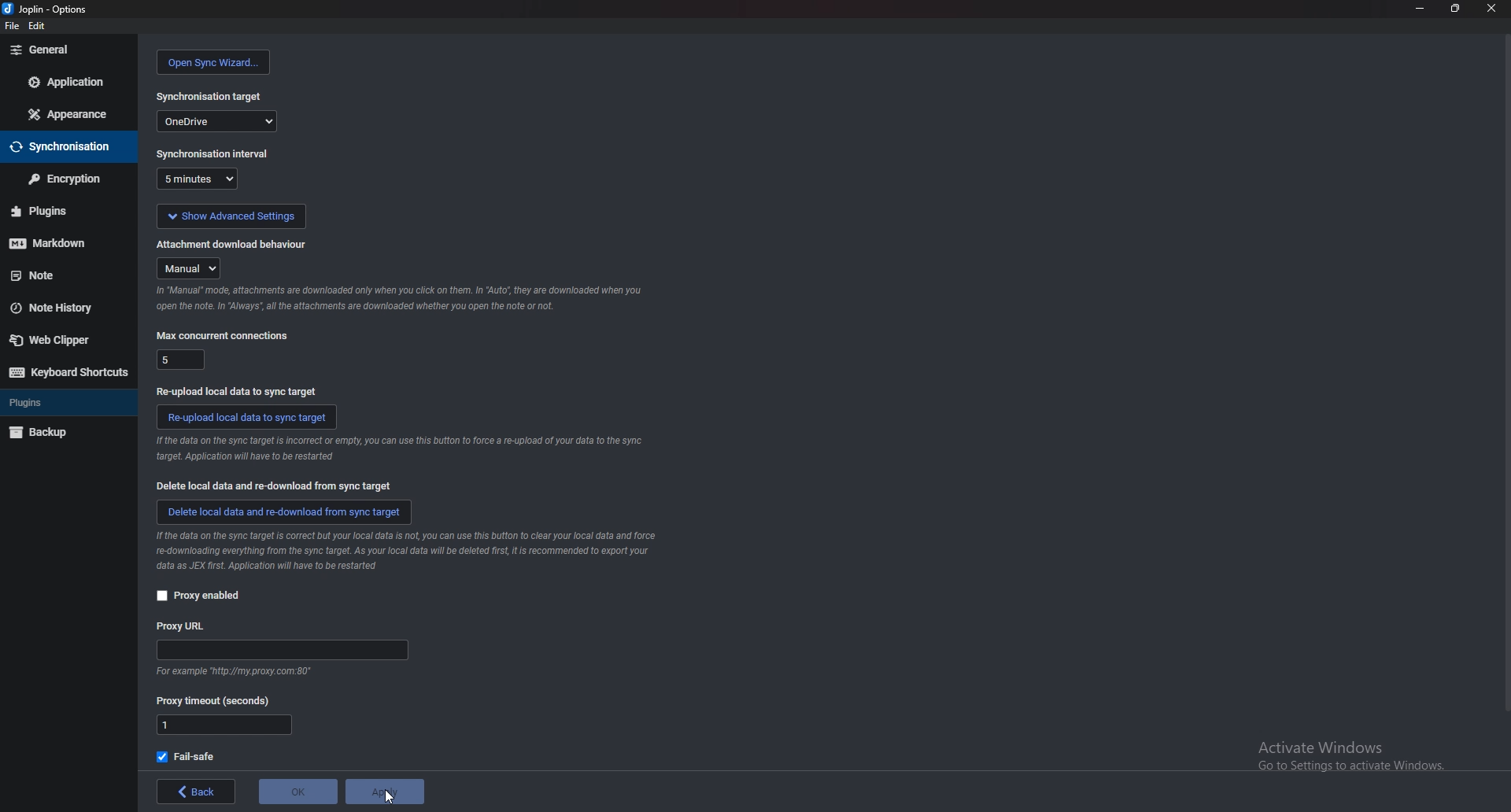  What do you see at coordinates (1505, 376) in the screenshot?
I see `scroll bar` at bounding box center [1505, 376].